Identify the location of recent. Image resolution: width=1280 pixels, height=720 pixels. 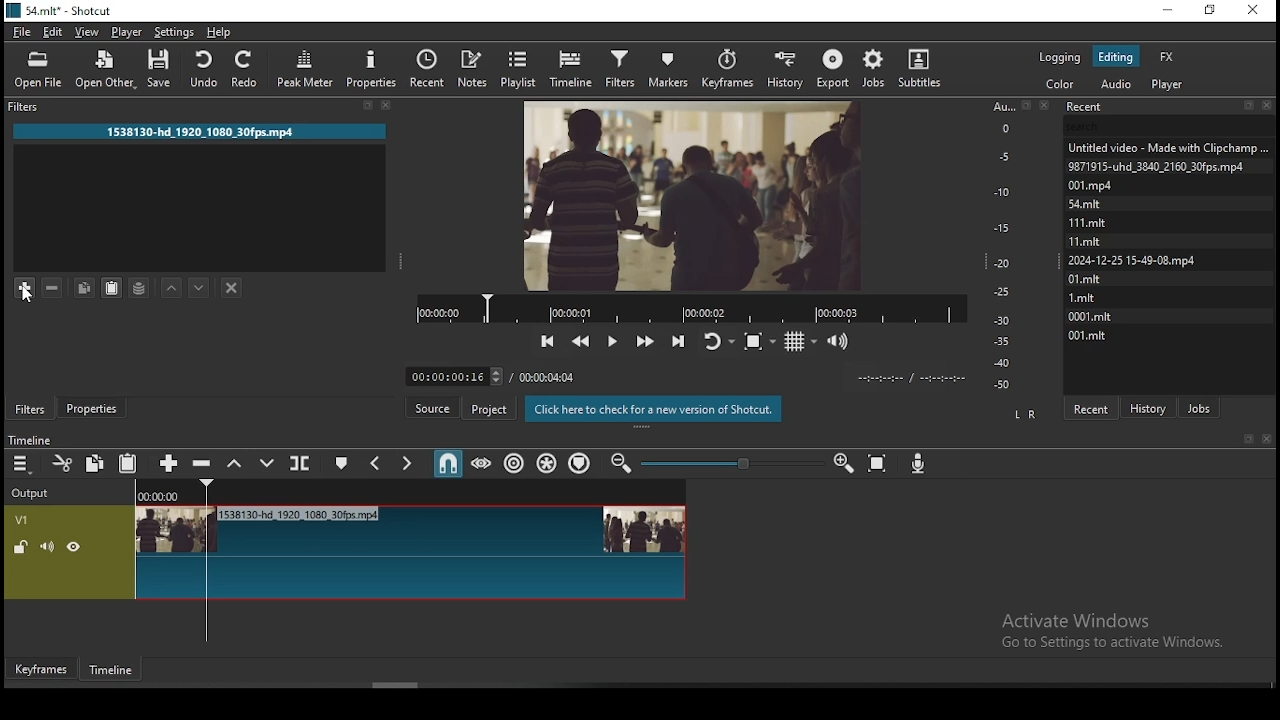
(1092, 407).